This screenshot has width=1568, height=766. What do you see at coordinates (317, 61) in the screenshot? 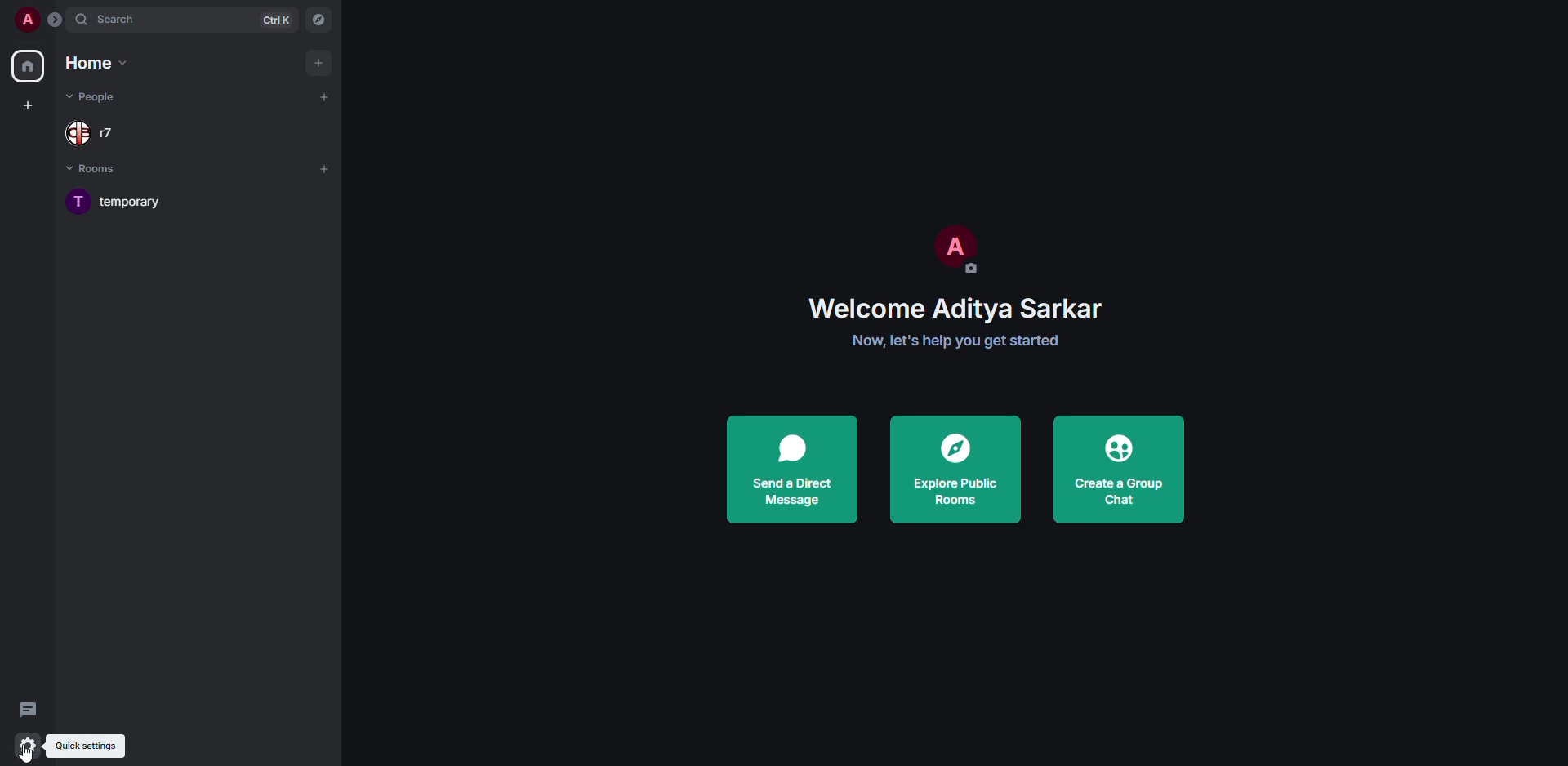
I see `add` at bounding box center [317, 61].